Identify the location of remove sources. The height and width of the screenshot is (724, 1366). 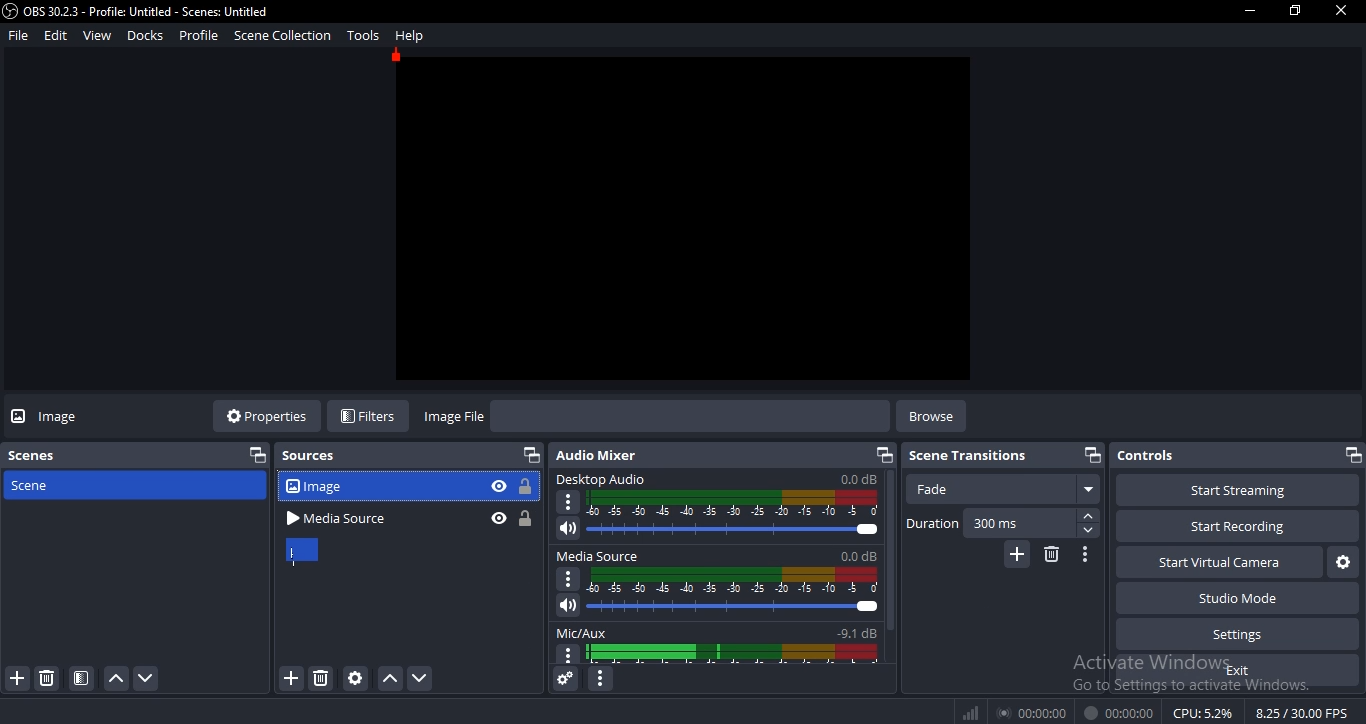
(318, 679).